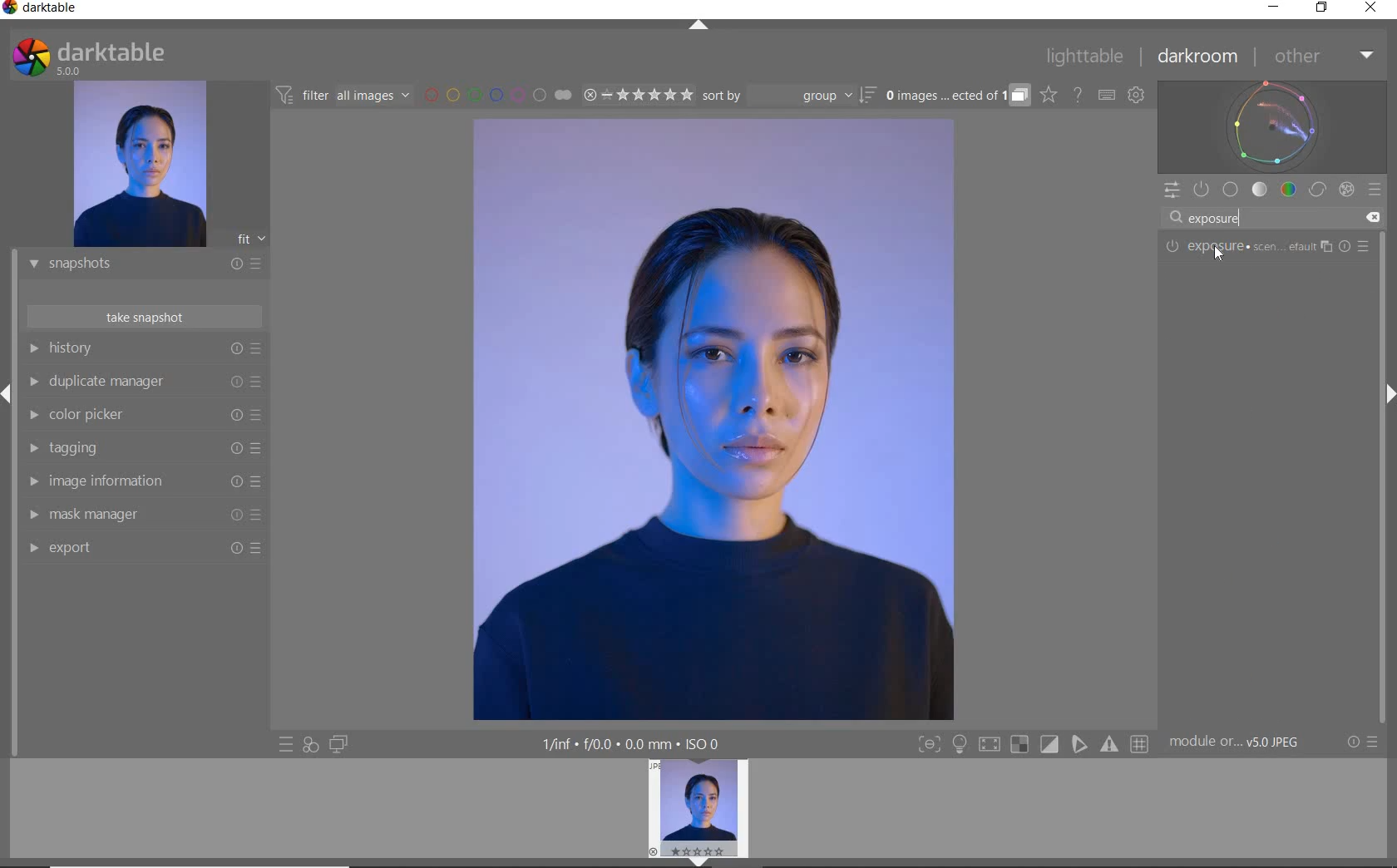 The image size is (1397, 868). Describe the element at coordinates (139, 547) in the screenshot. I see `EXPORT` at that location.